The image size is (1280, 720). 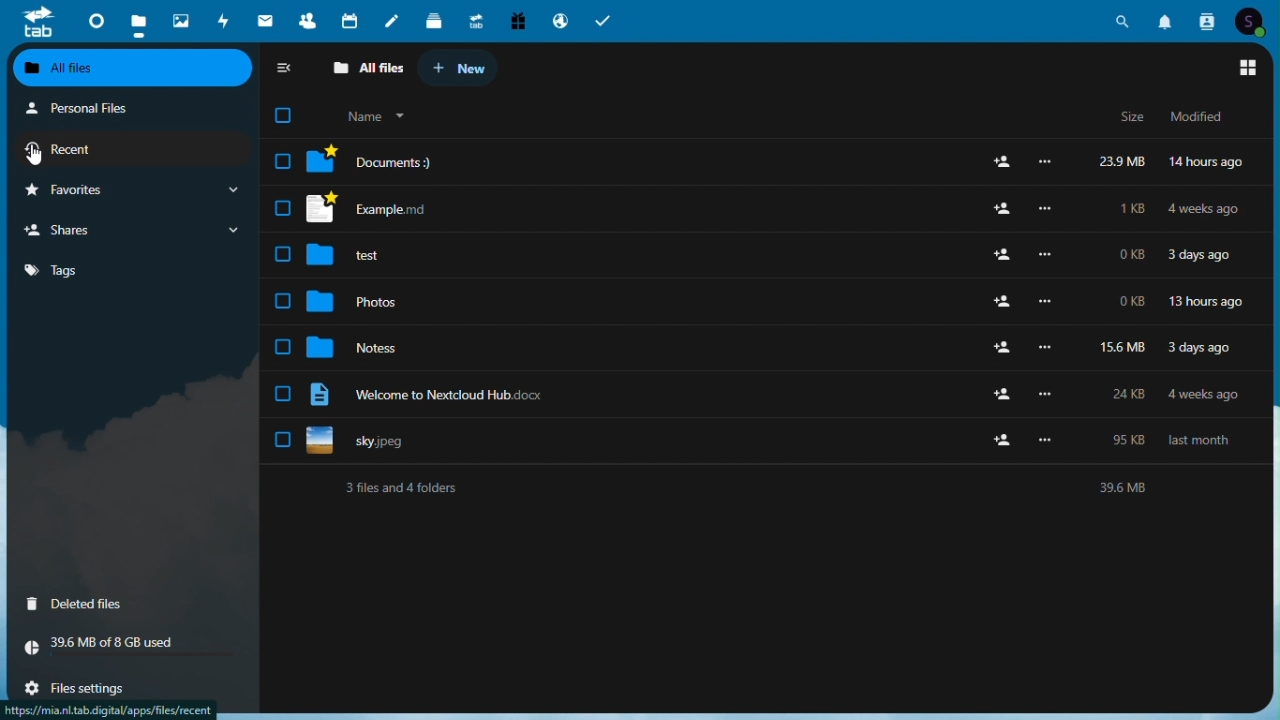 I want to click on add user, so click(x=1000, y=255).